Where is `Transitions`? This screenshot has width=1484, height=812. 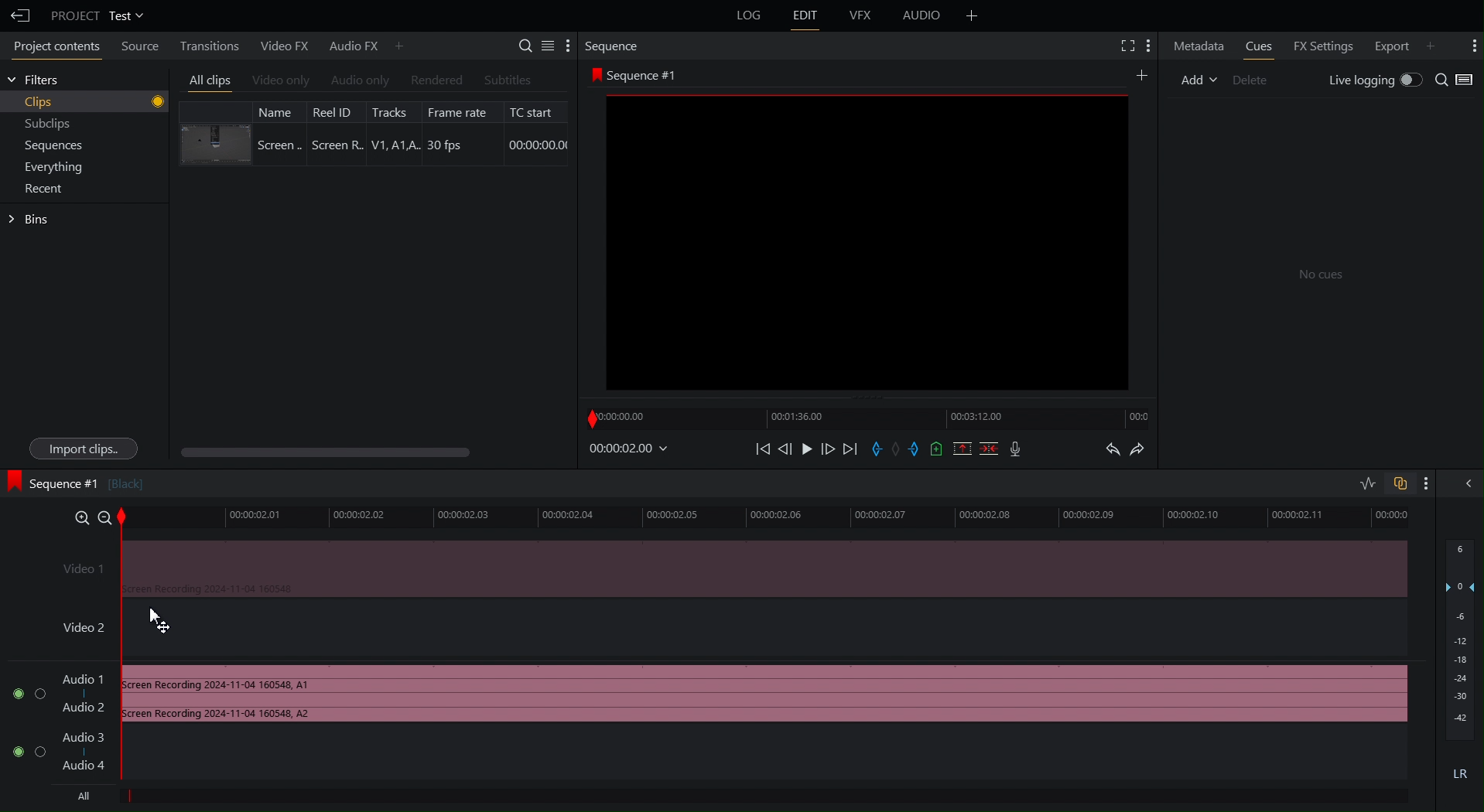
Transitions is located at coordinates (211, 45).